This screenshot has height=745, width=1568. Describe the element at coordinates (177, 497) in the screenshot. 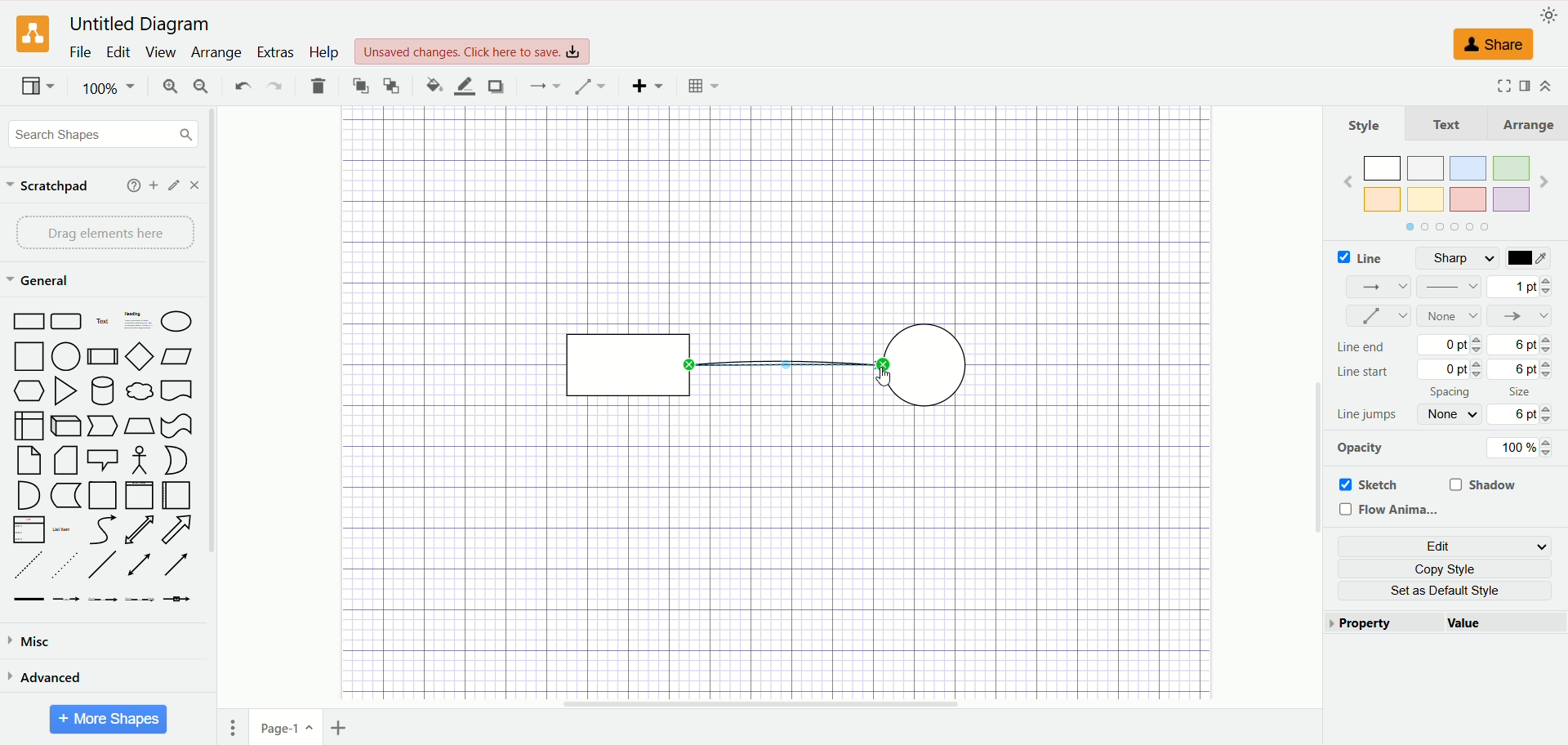

I see `Horizontal Page` at that location.